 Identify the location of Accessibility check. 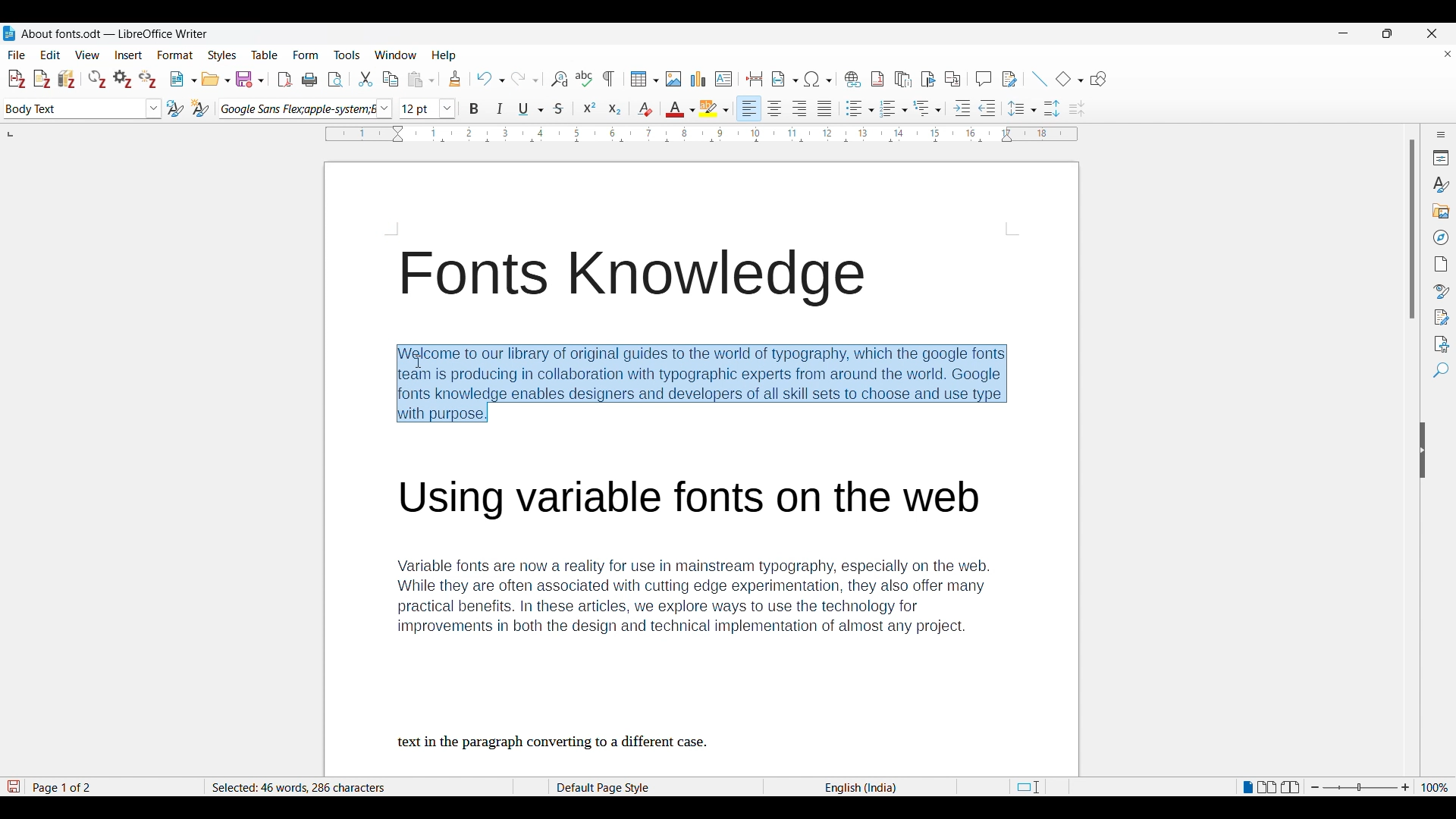
(1442, 344).